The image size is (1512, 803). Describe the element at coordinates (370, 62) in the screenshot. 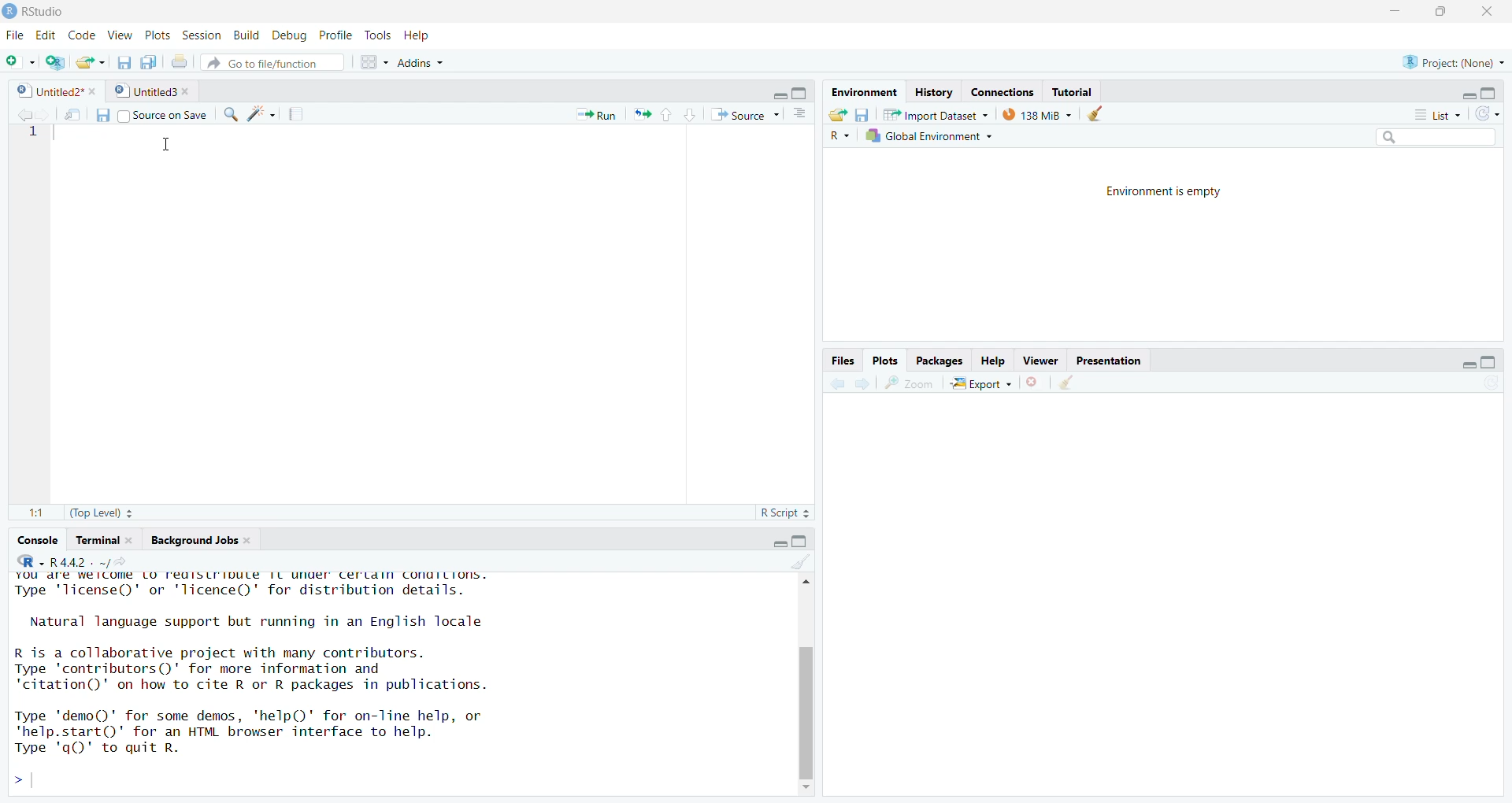

I see `workspaces panes` at that location.